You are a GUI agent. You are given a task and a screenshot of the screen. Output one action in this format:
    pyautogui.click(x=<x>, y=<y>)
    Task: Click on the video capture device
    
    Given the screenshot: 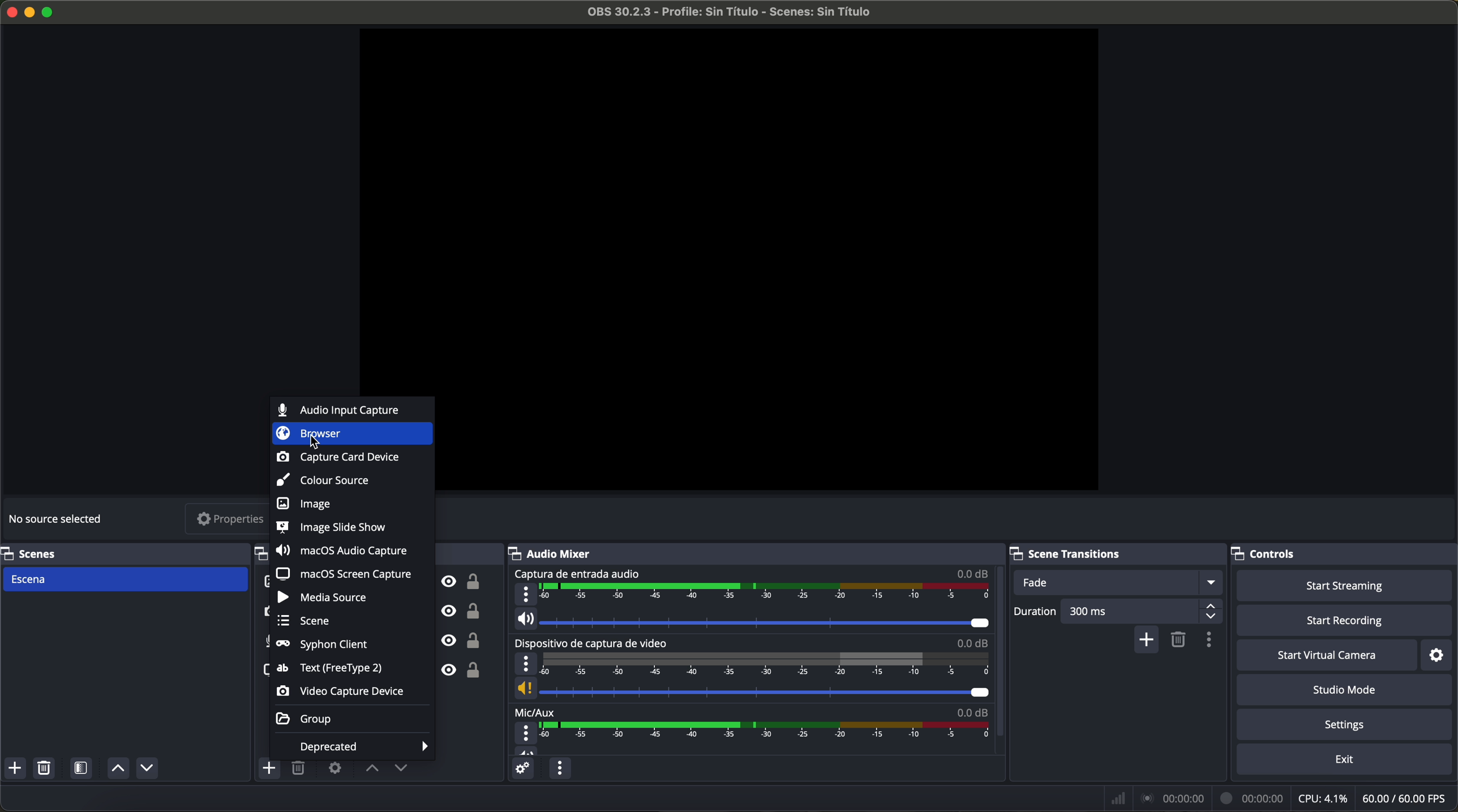 What is the action you would take?
    pyautogui.click(x=343, y=693)
    